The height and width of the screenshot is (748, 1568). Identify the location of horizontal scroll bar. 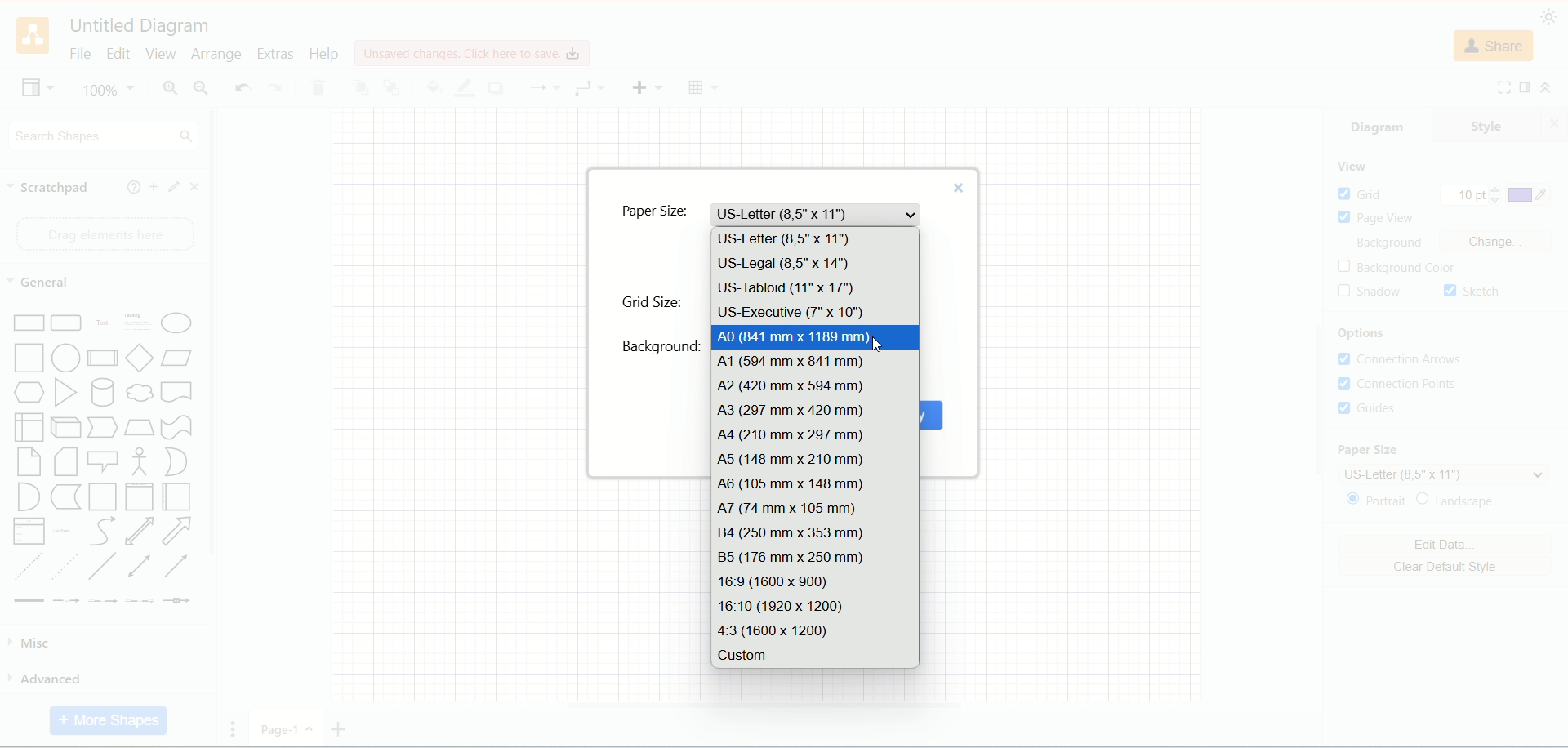
(763, 709).